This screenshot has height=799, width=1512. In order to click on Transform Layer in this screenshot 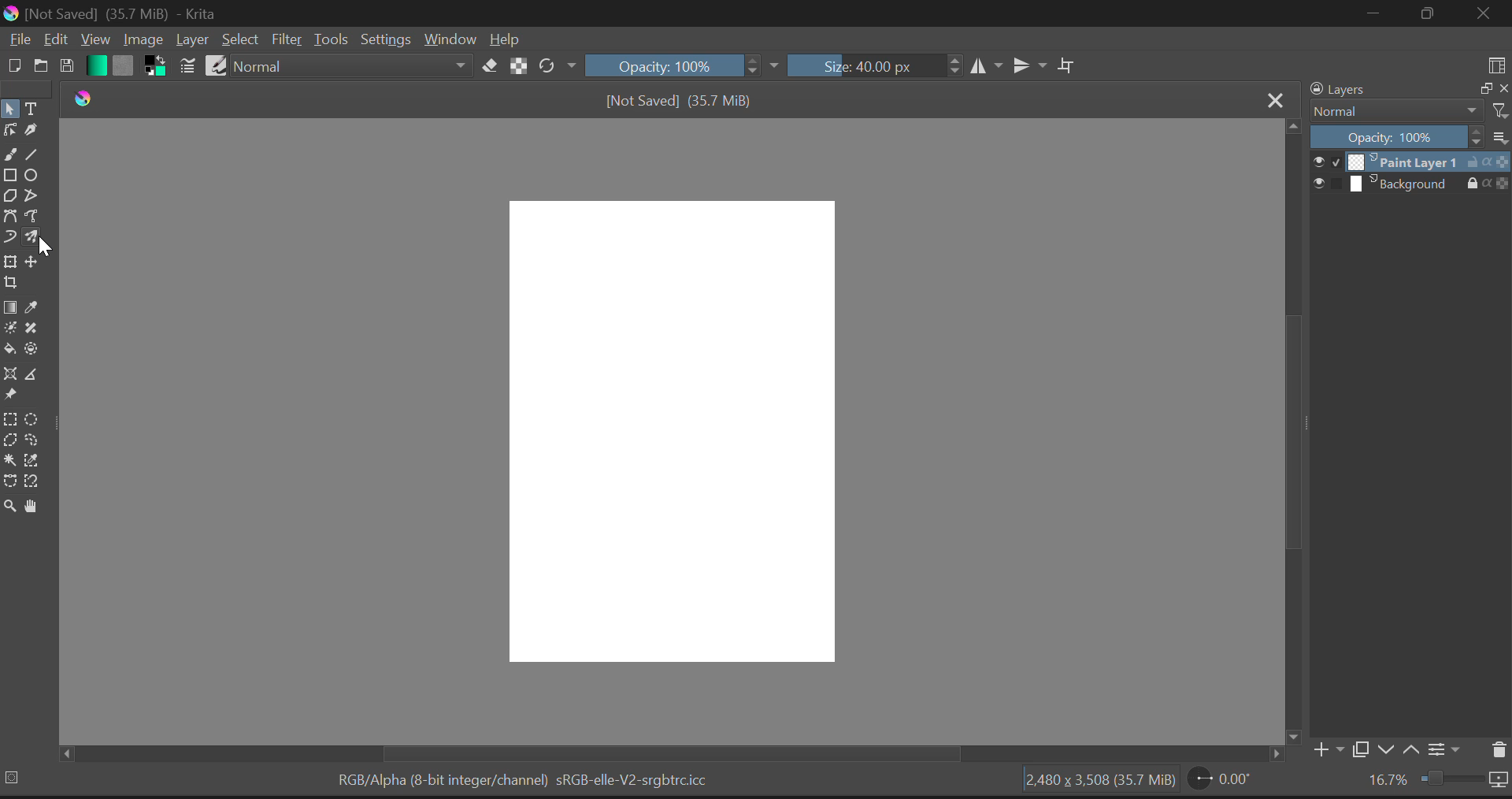, I will do `click(9, 262)`.